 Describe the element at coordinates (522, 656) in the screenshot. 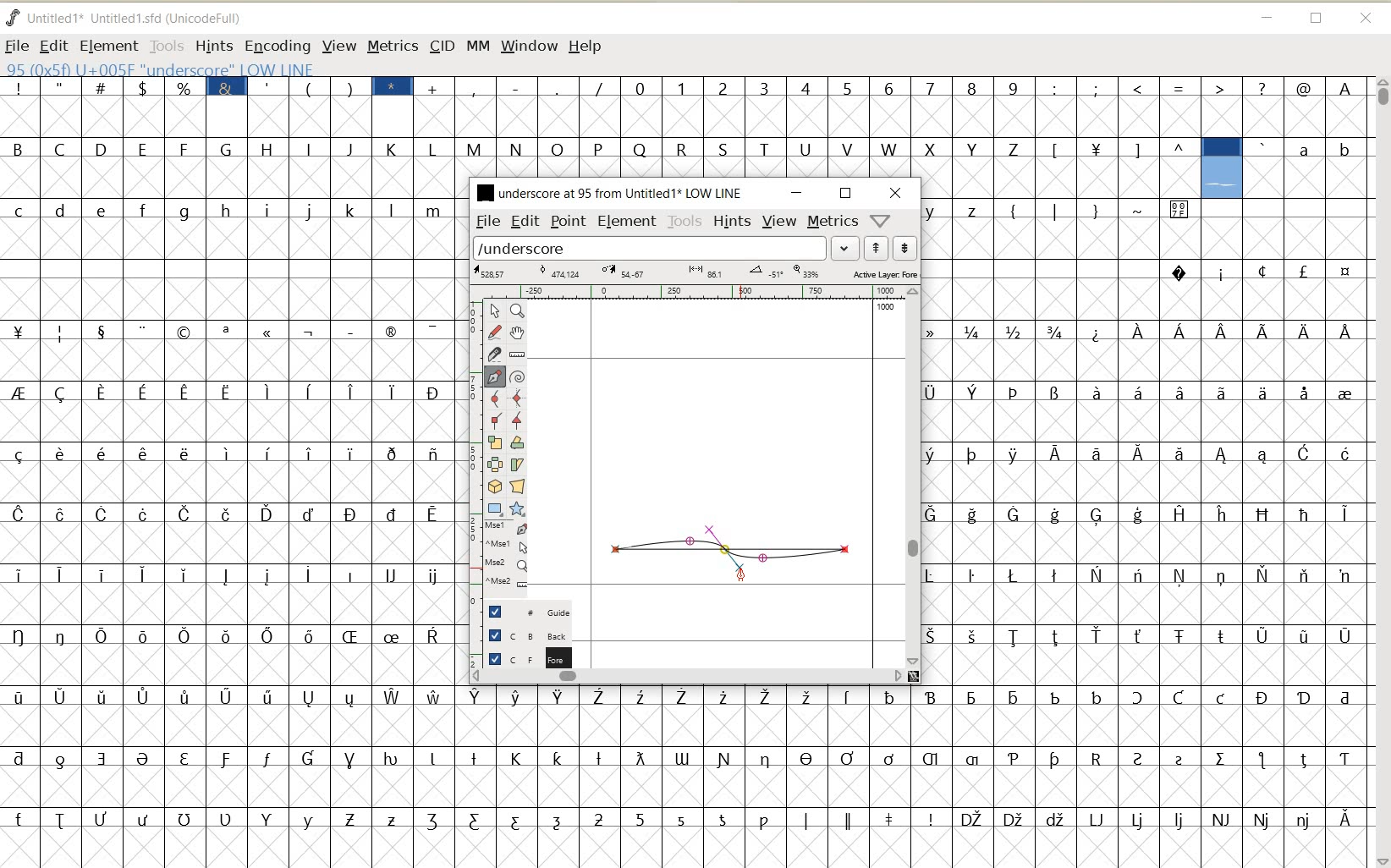

I see `FOREGROUND` at that location.